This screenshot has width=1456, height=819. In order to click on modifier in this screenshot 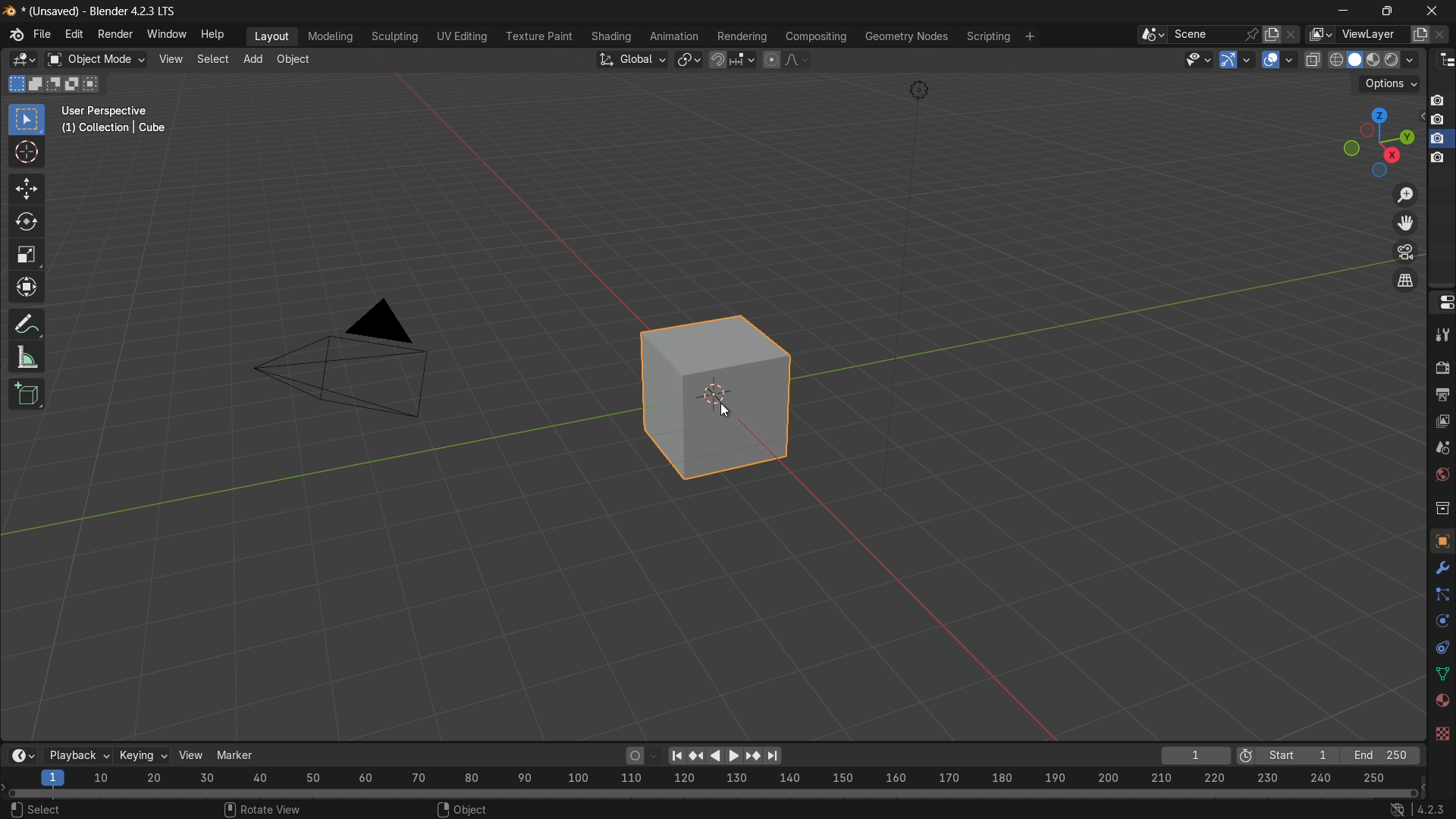, I will do `click(1442, 565)`.